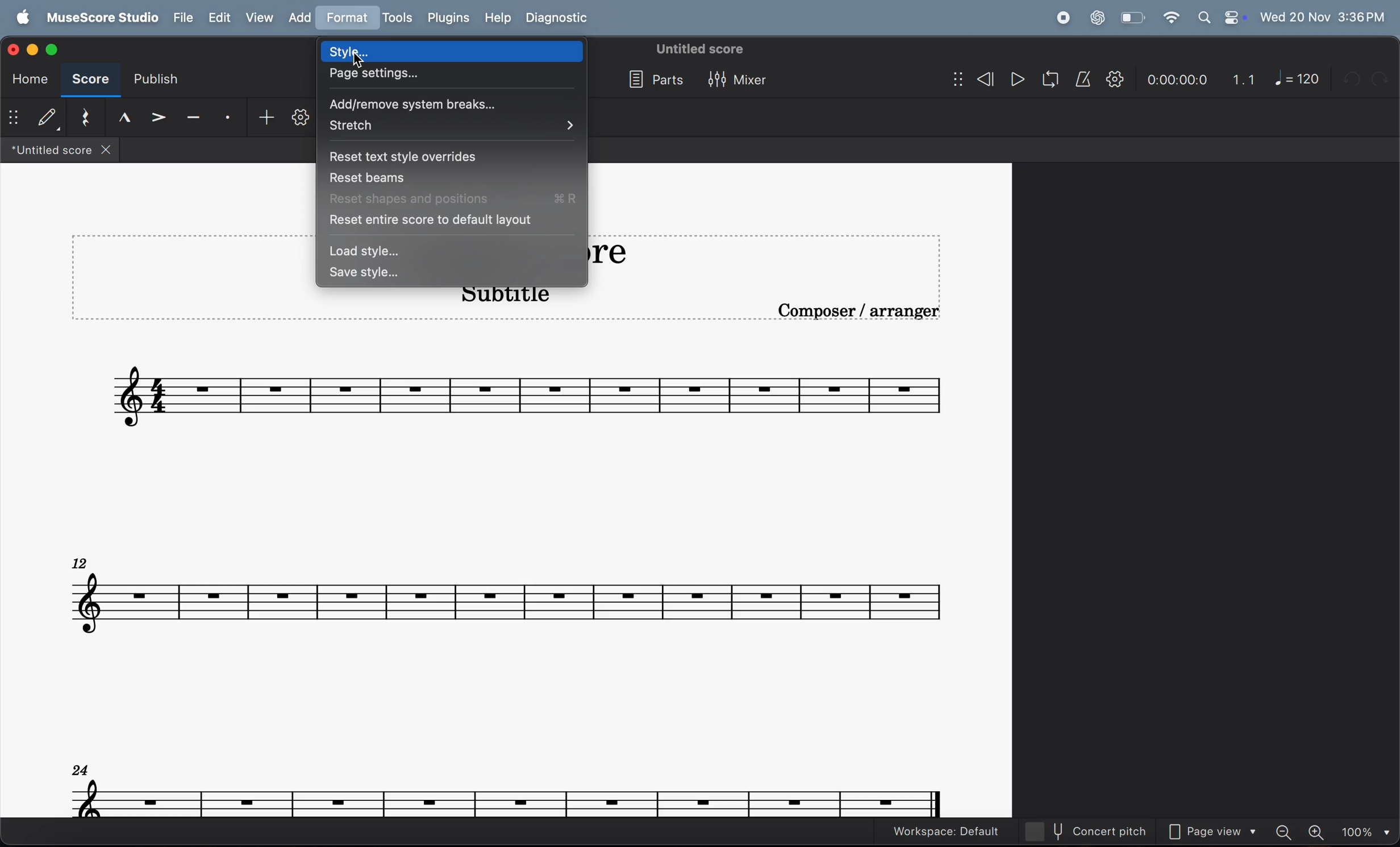 The image size is (1400, 847). I want to click on mixer, so click(740, 81).